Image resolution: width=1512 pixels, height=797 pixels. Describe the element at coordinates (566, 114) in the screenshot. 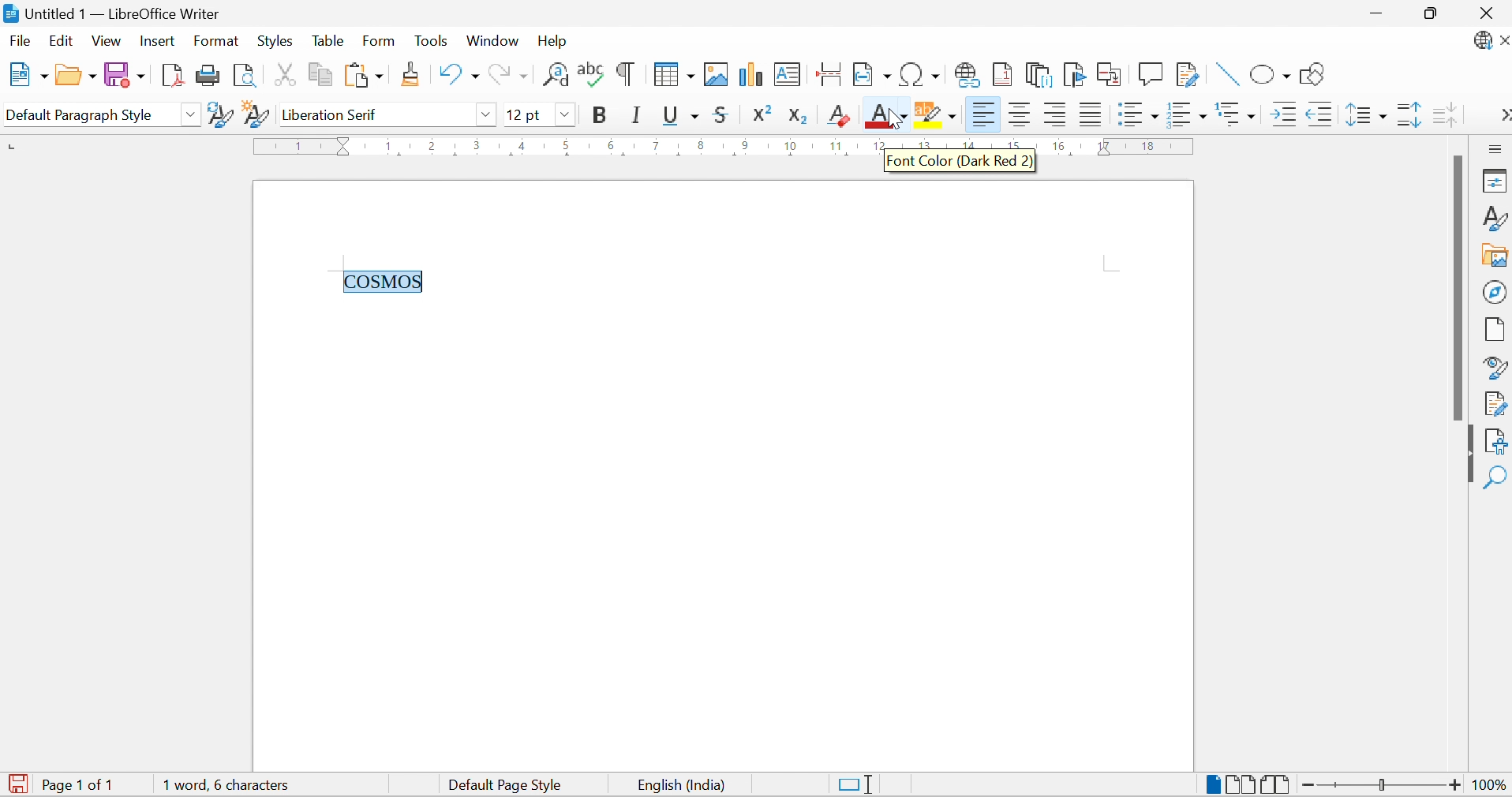

I see `Drop Down` at that location.